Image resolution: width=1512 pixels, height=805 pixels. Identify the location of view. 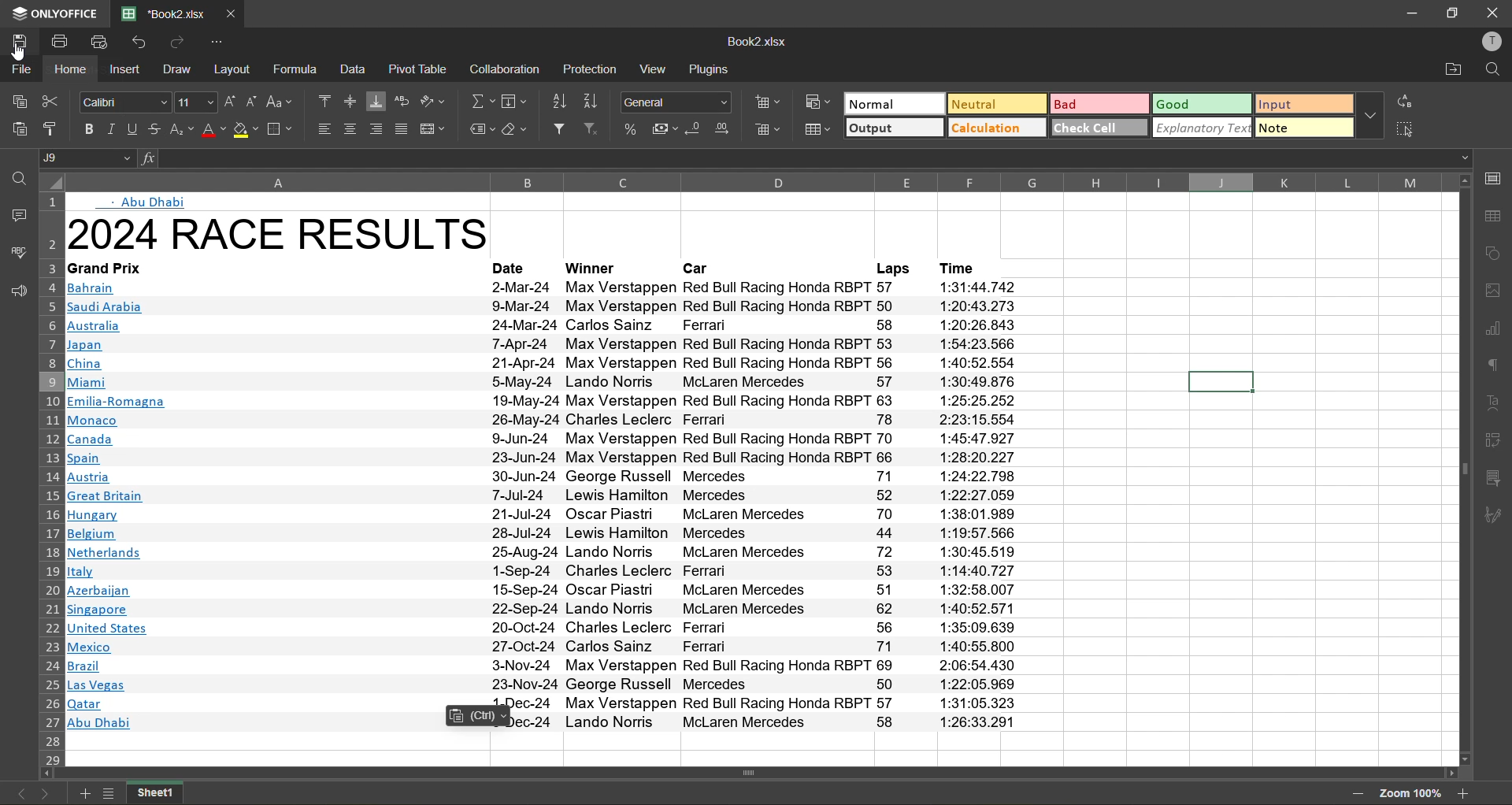
(654, 71).